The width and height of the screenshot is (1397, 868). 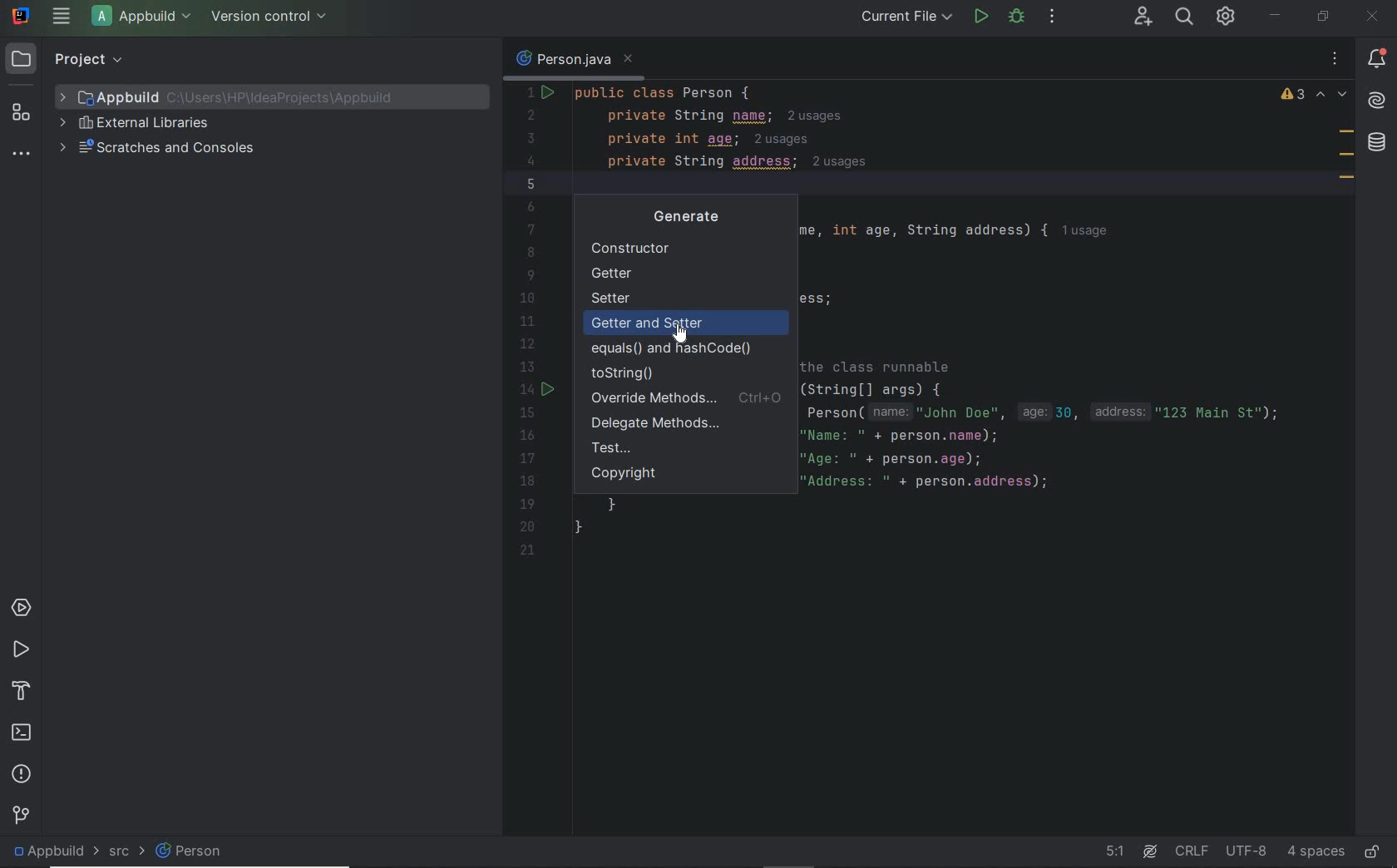 I want to click on notifications, so click(x=1380, y=59).